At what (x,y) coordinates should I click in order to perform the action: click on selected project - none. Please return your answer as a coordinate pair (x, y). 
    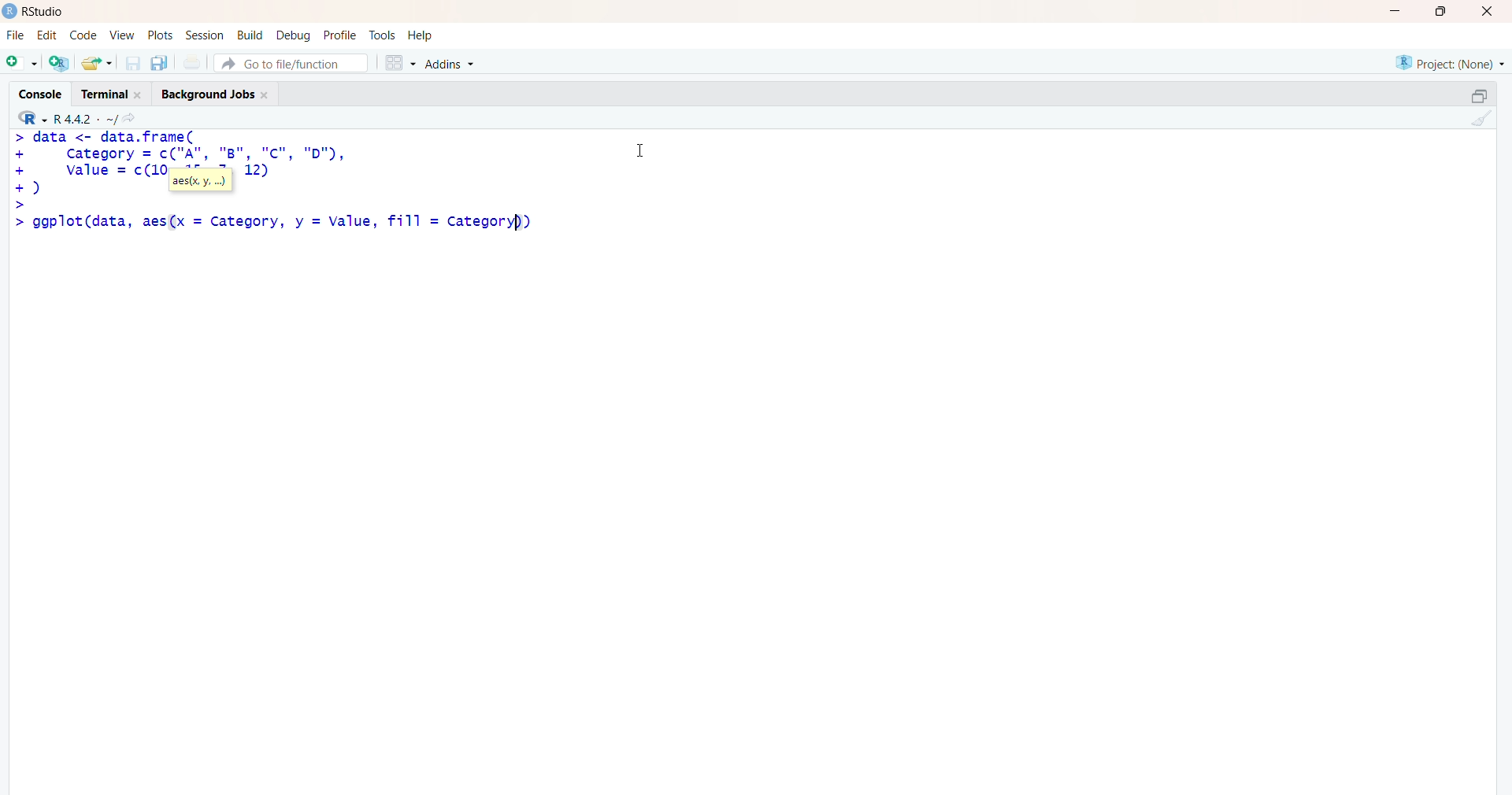
    Looking at the image, I should click on (1452, 62).